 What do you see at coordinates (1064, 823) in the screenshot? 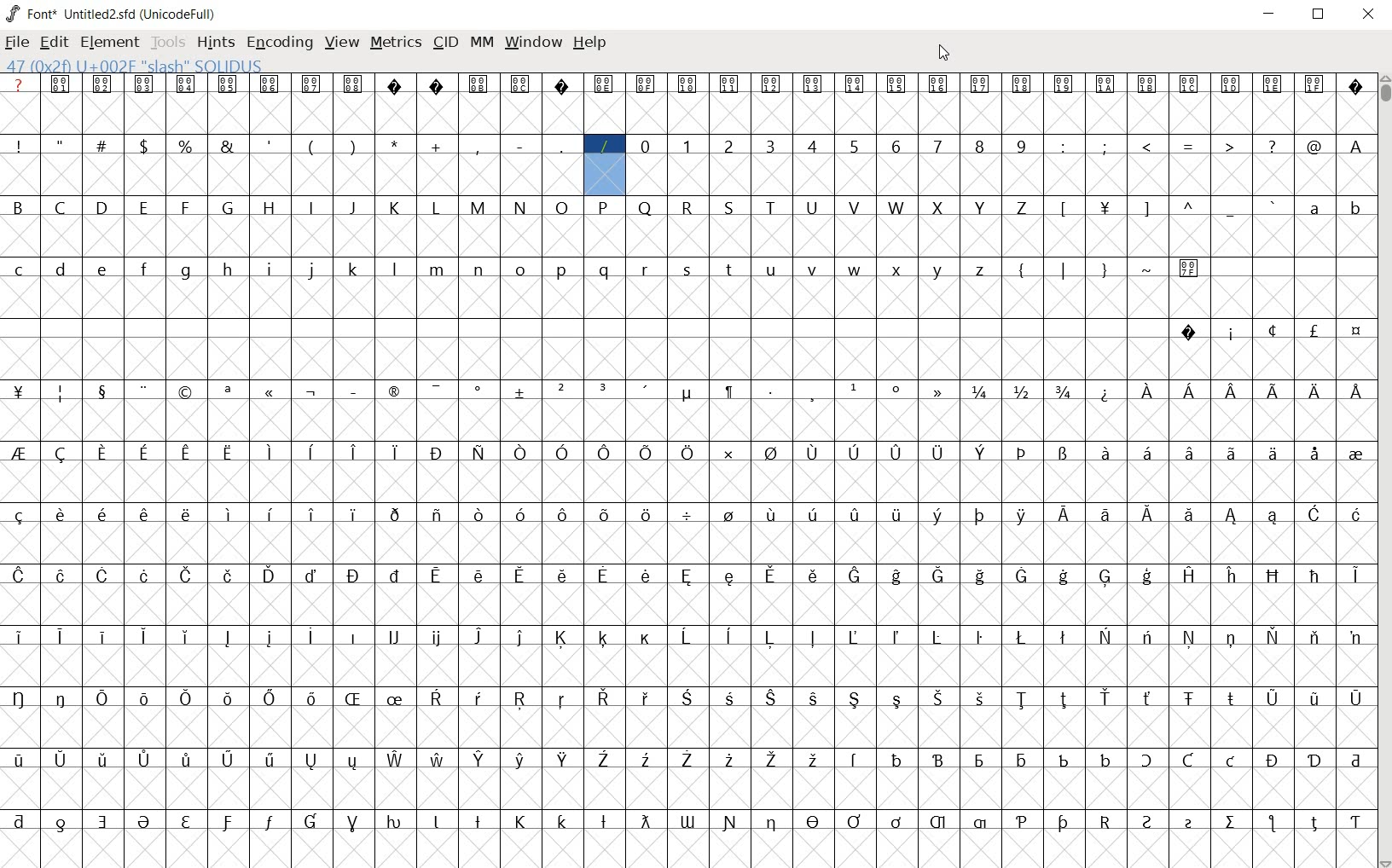
I see `glyph` at bounding box center [1064, 823].